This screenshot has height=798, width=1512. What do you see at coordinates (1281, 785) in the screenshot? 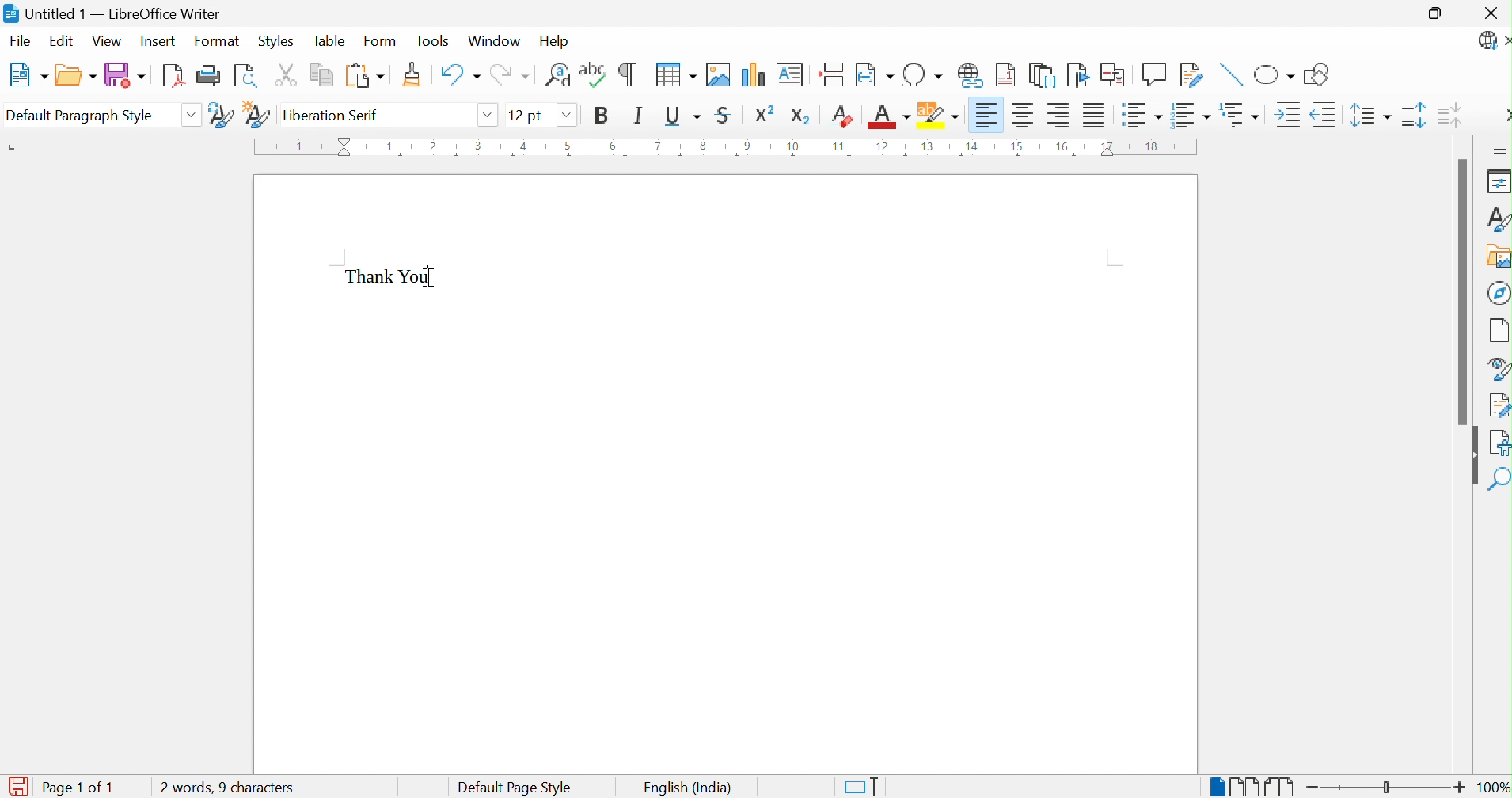
I see `Book View` at bounding box center [1281, 785].